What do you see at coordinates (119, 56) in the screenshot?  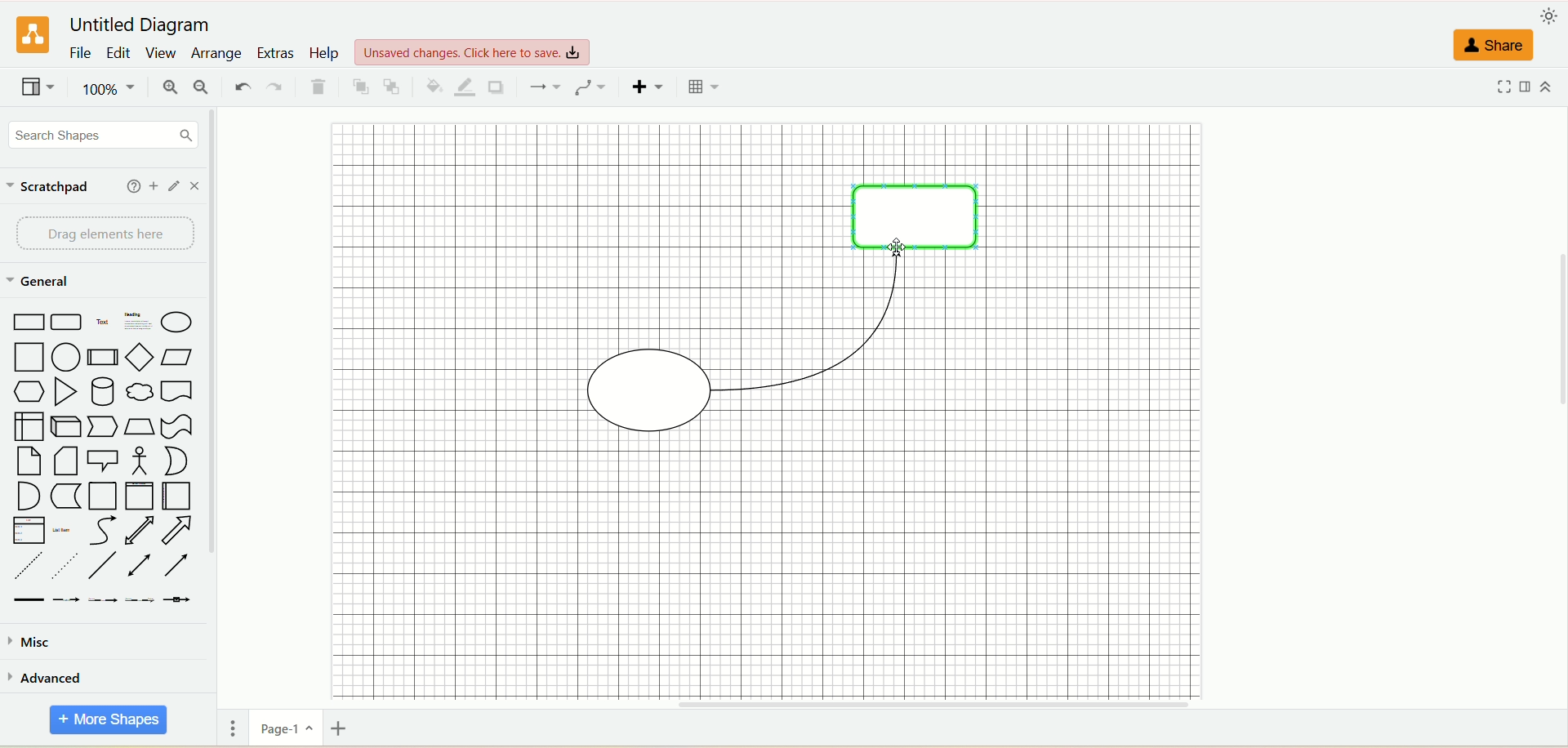 I see `edit` at bounding box center [119, 56].